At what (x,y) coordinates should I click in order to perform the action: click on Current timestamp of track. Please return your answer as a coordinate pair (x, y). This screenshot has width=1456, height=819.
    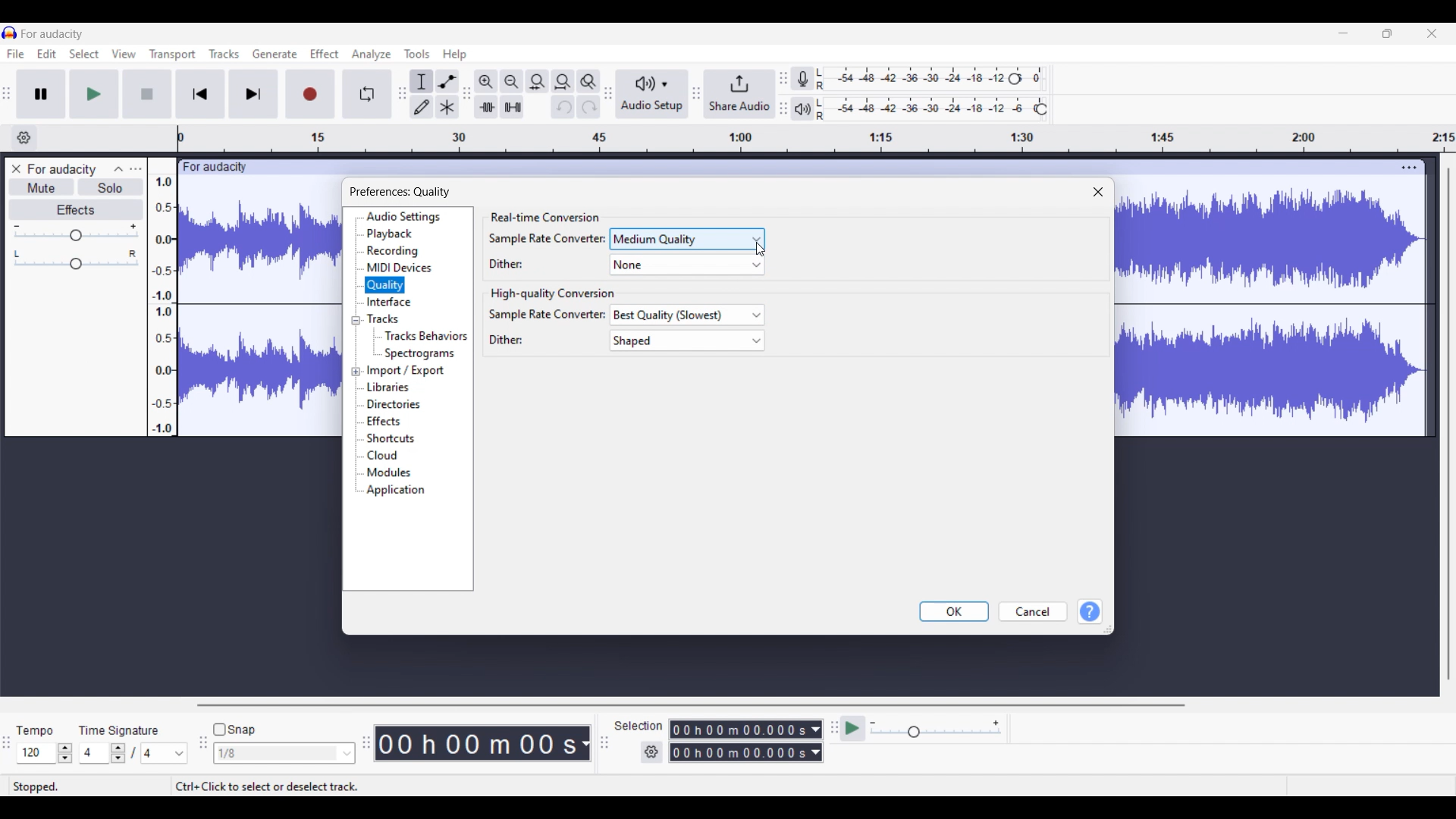
    Looking at the image, I should click on (483, 743).